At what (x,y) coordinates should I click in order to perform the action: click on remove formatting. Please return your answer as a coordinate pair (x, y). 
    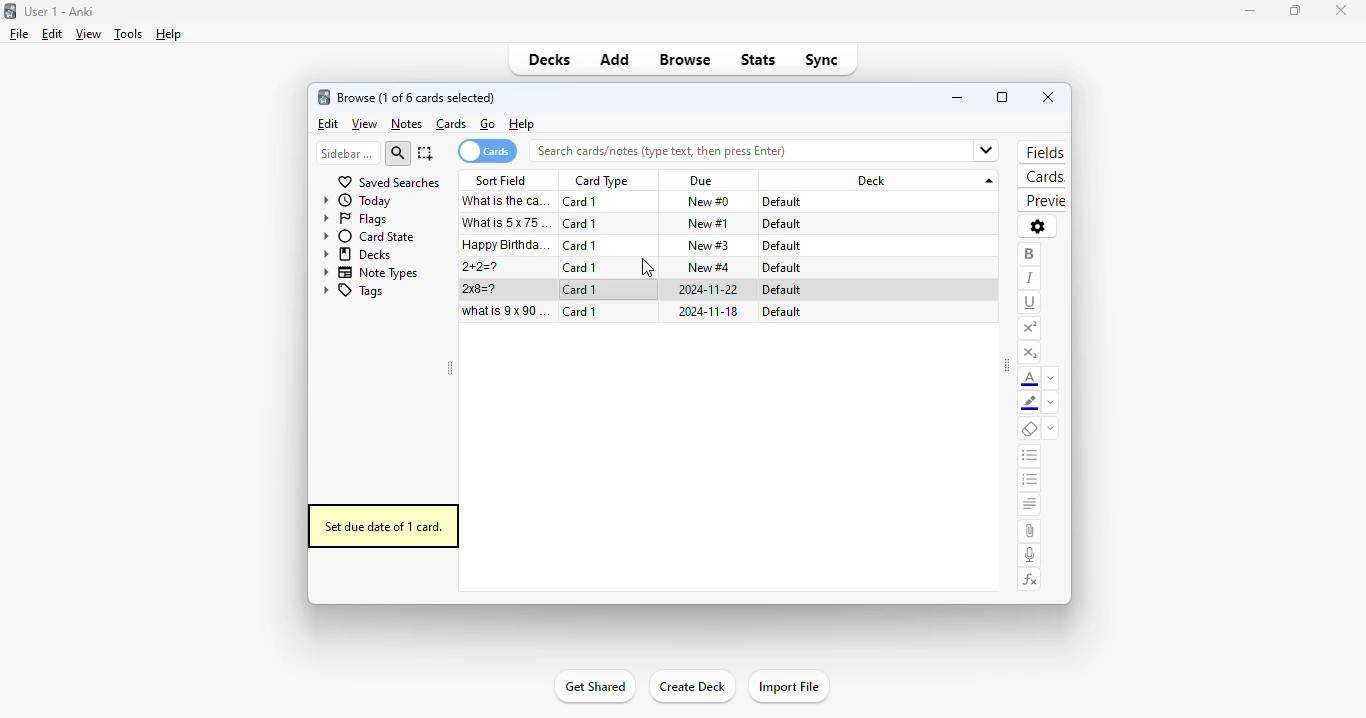
    Looking at the image, I should click on (1030, 430).